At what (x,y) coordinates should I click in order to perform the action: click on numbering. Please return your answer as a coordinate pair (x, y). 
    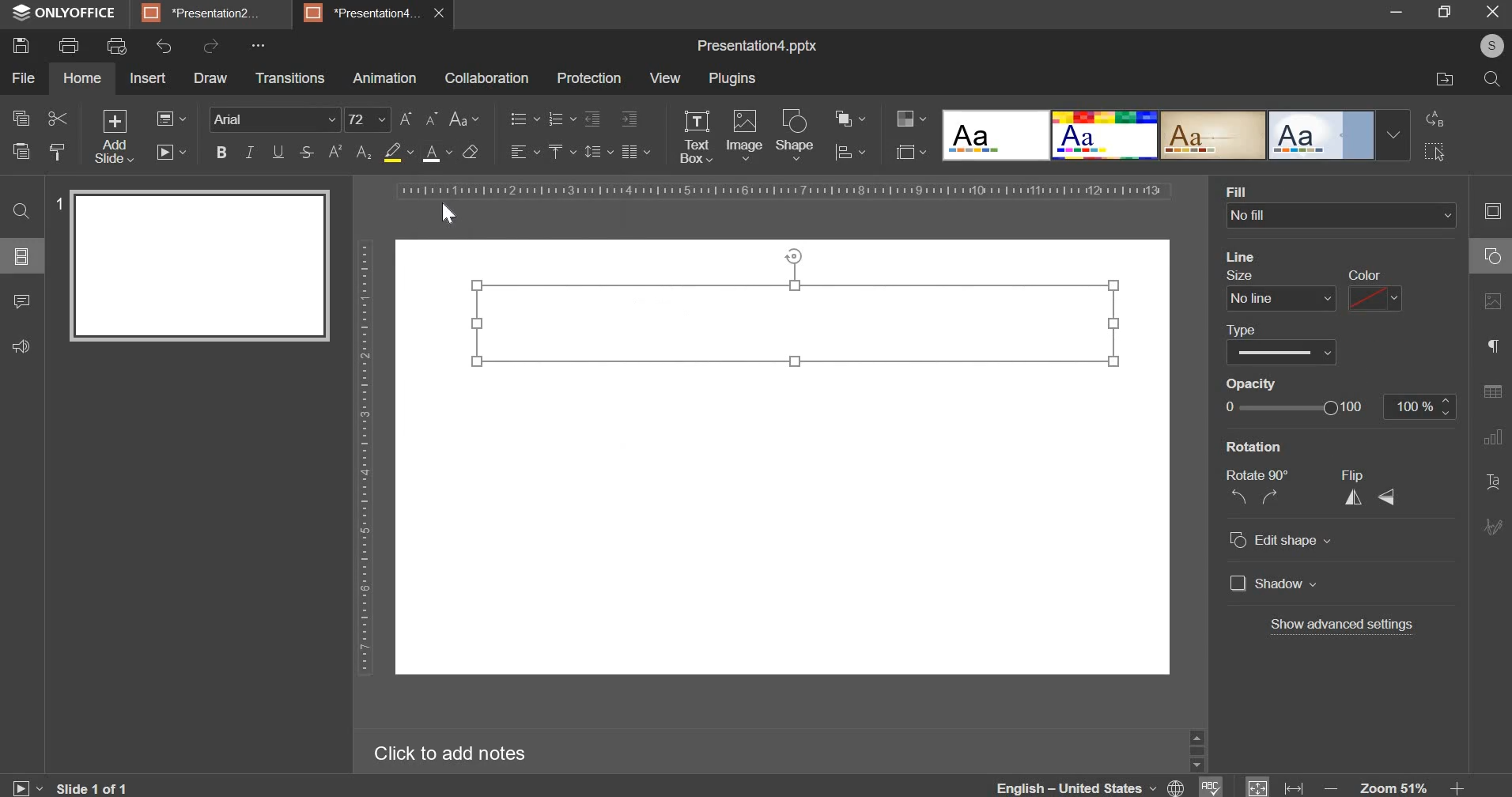
    Looking at the image, I should click on (561, 119).